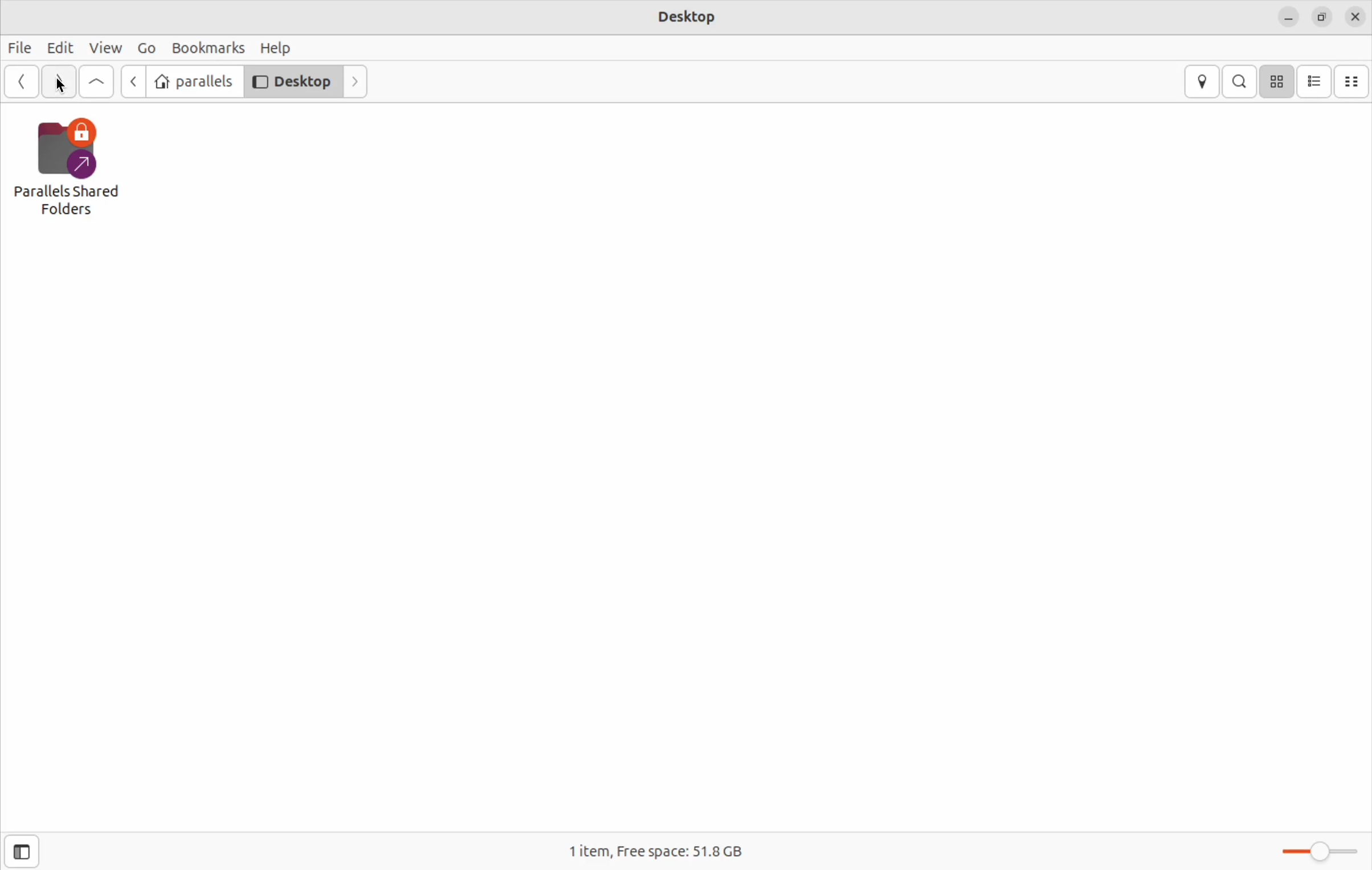  What do you see at coordinates (1315, 81) in the screenshot?
I see `list view` at bounding box center [1315, 81].